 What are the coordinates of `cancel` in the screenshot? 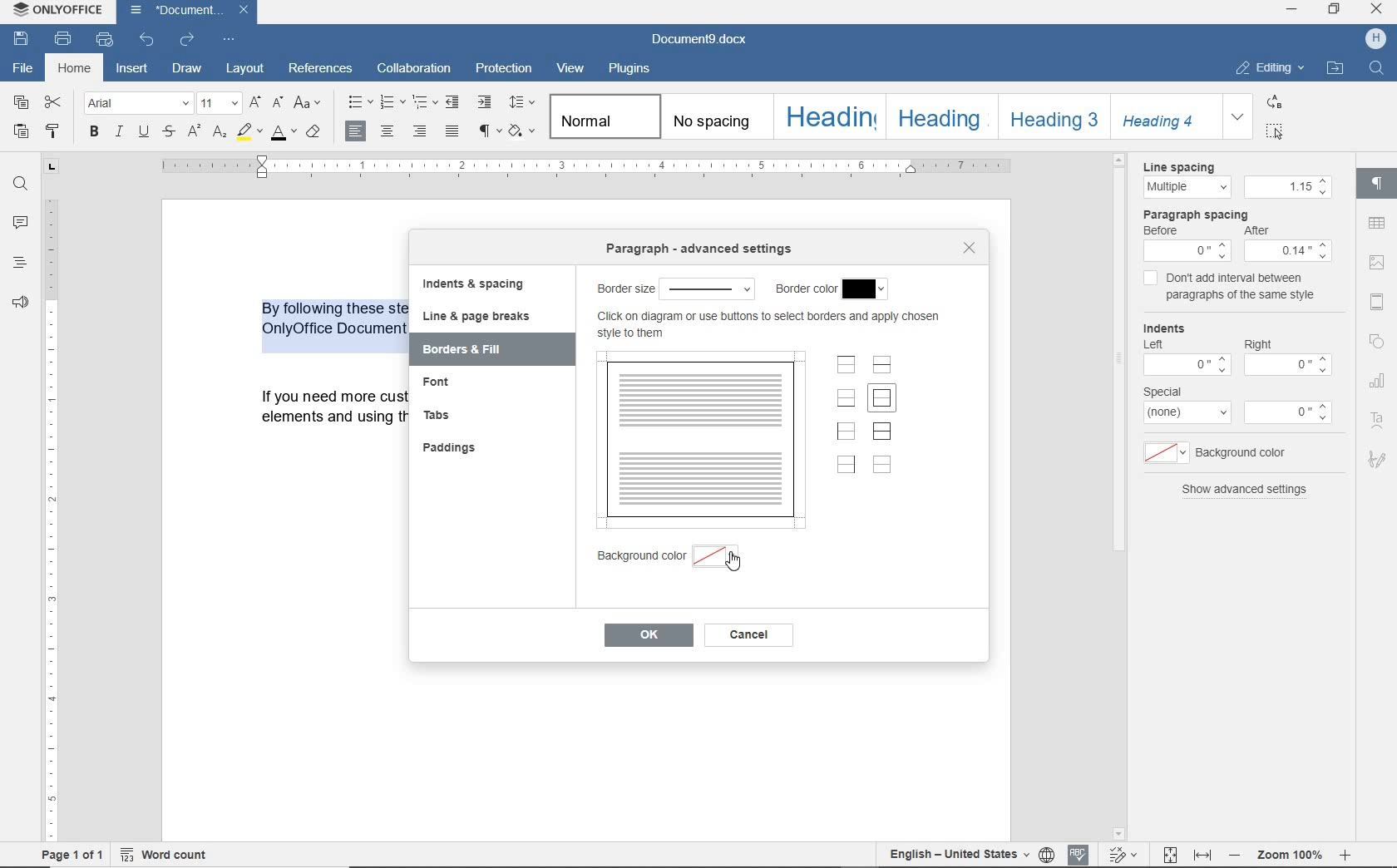 It's located at (749, 634).